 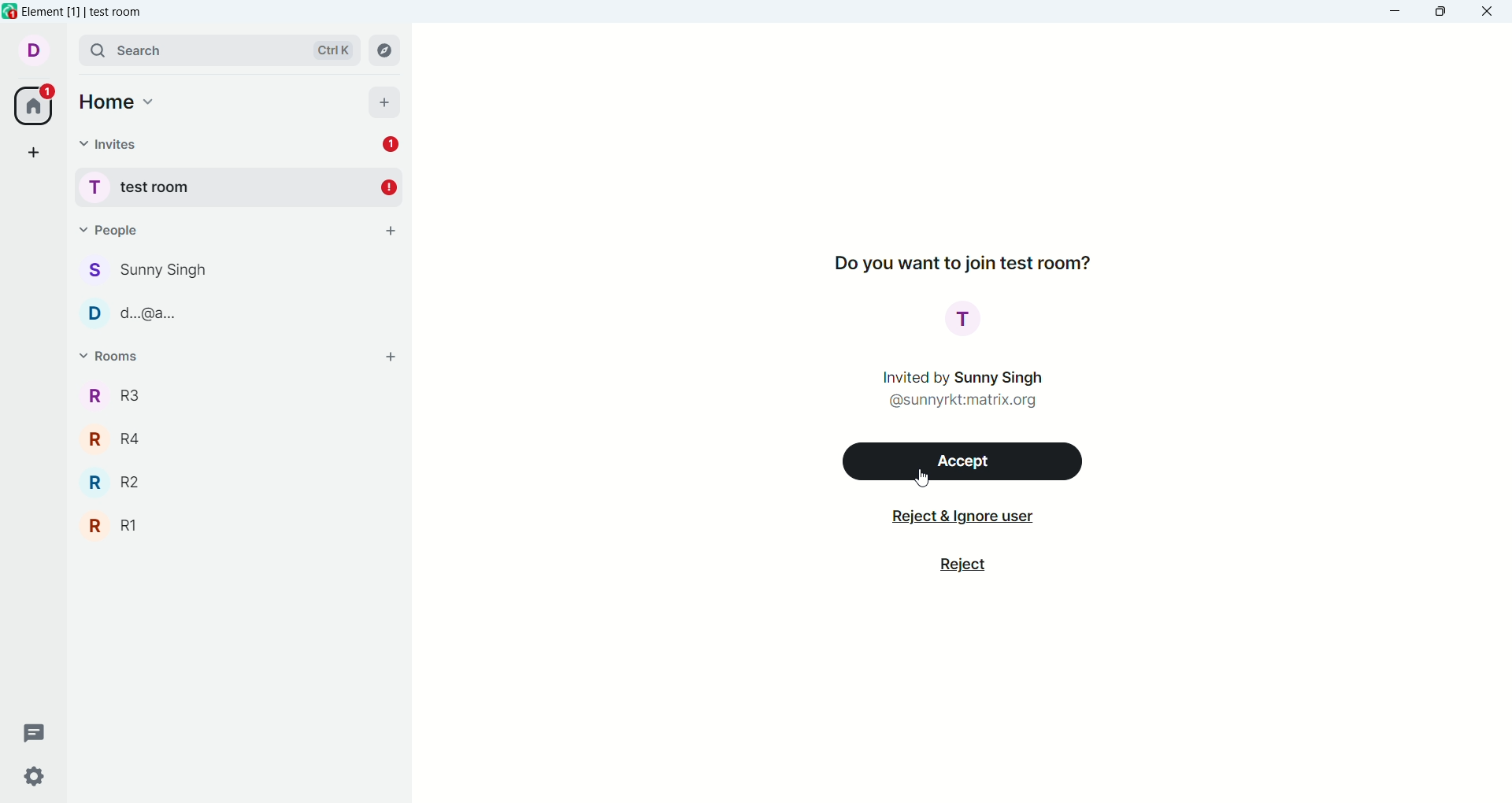 What do you see at coordinates (384, 102) in the screenshot?
I see `add` at bounding box center [384, 102].